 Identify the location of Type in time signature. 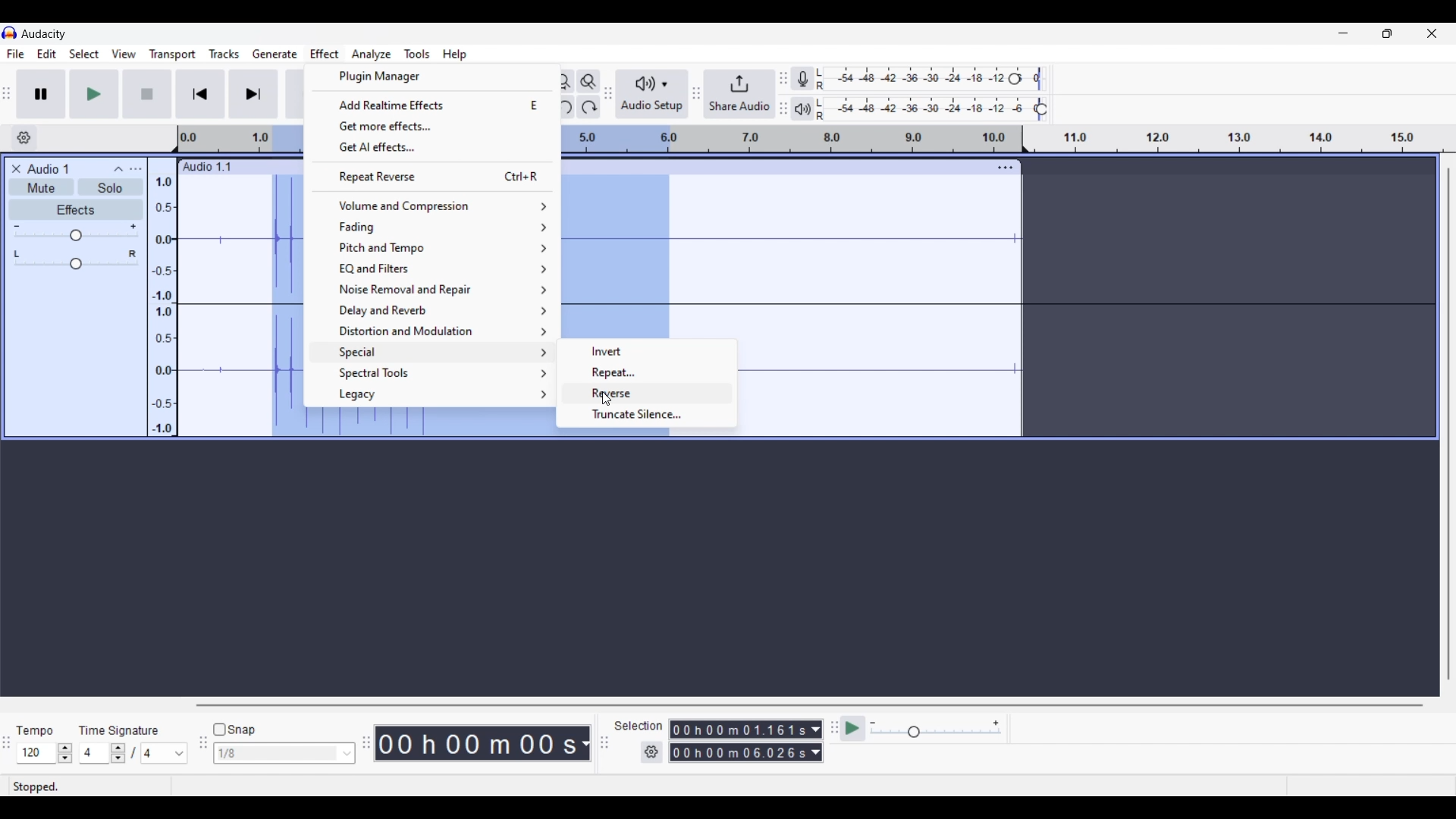
(94, 753).